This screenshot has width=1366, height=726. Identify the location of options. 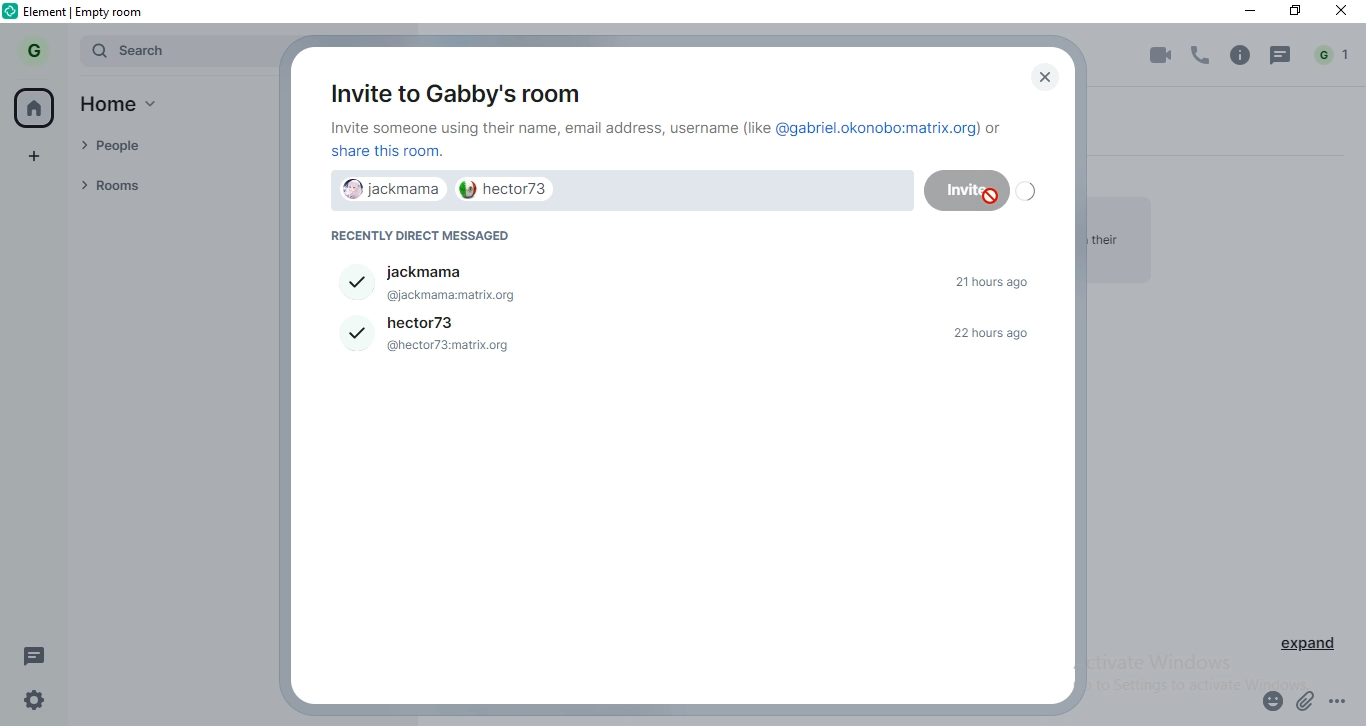
(1346, 705).